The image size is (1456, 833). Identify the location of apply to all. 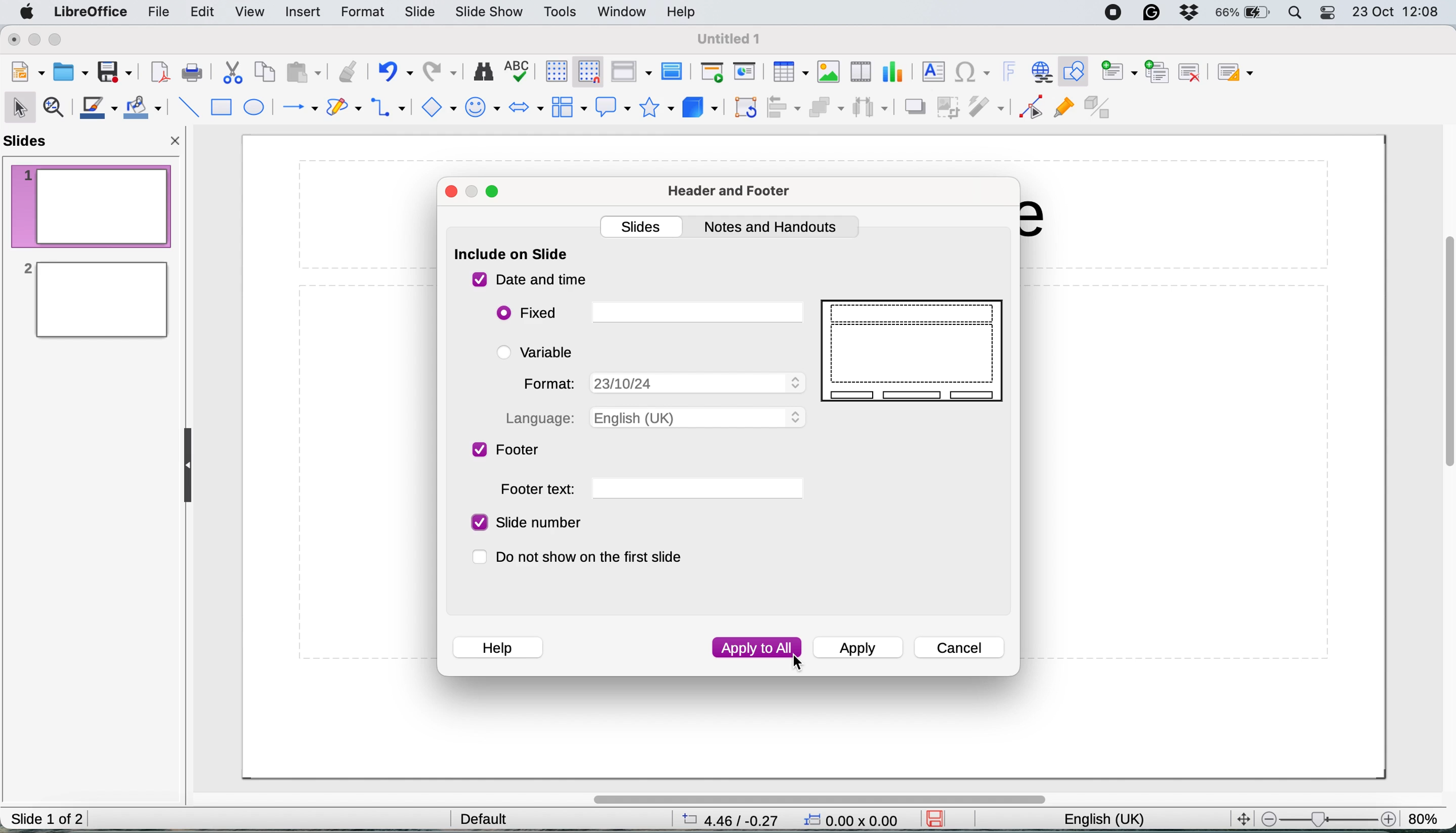
(757, 648).